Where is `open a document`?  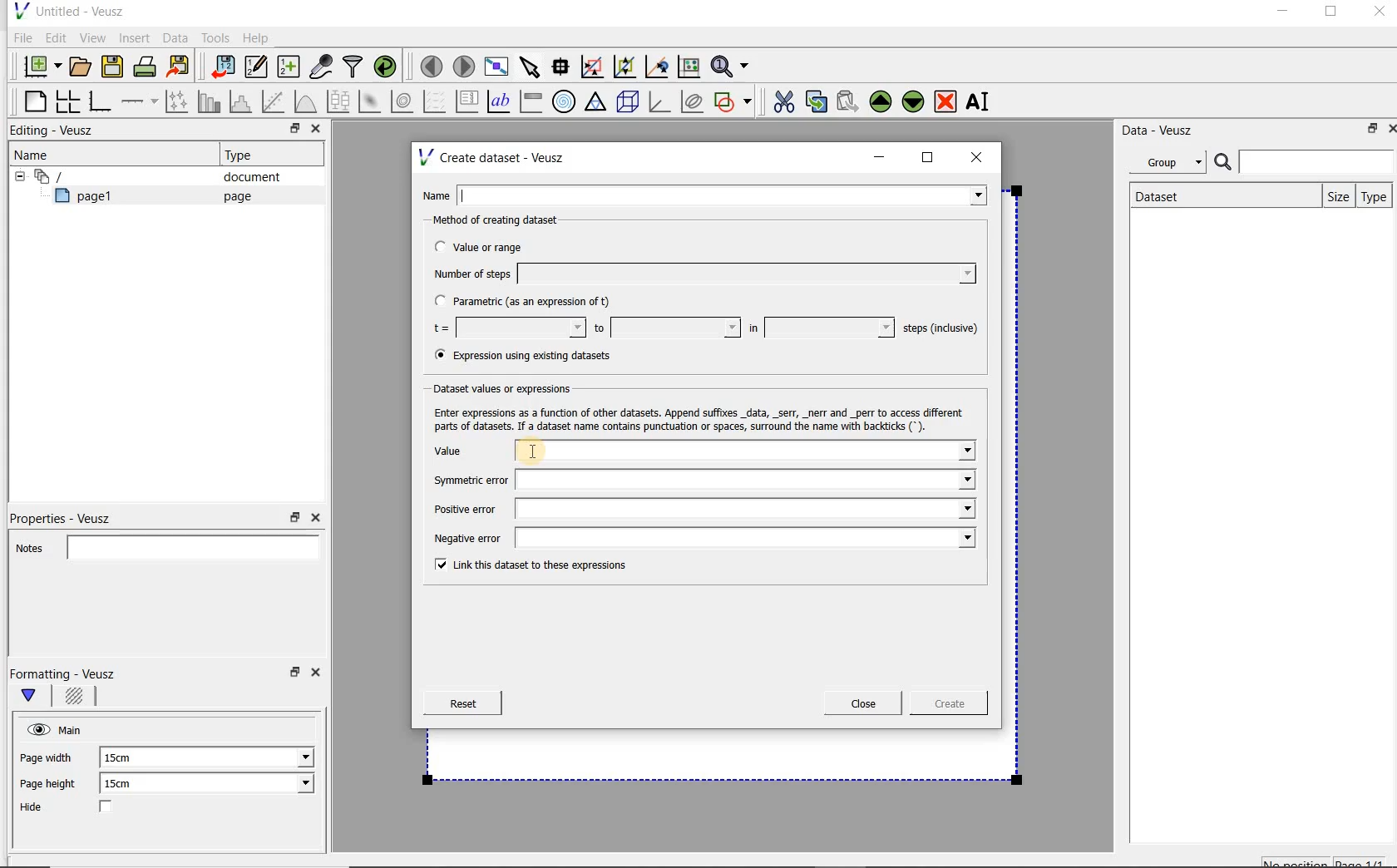
open a document is located at coordinates (82, 65).